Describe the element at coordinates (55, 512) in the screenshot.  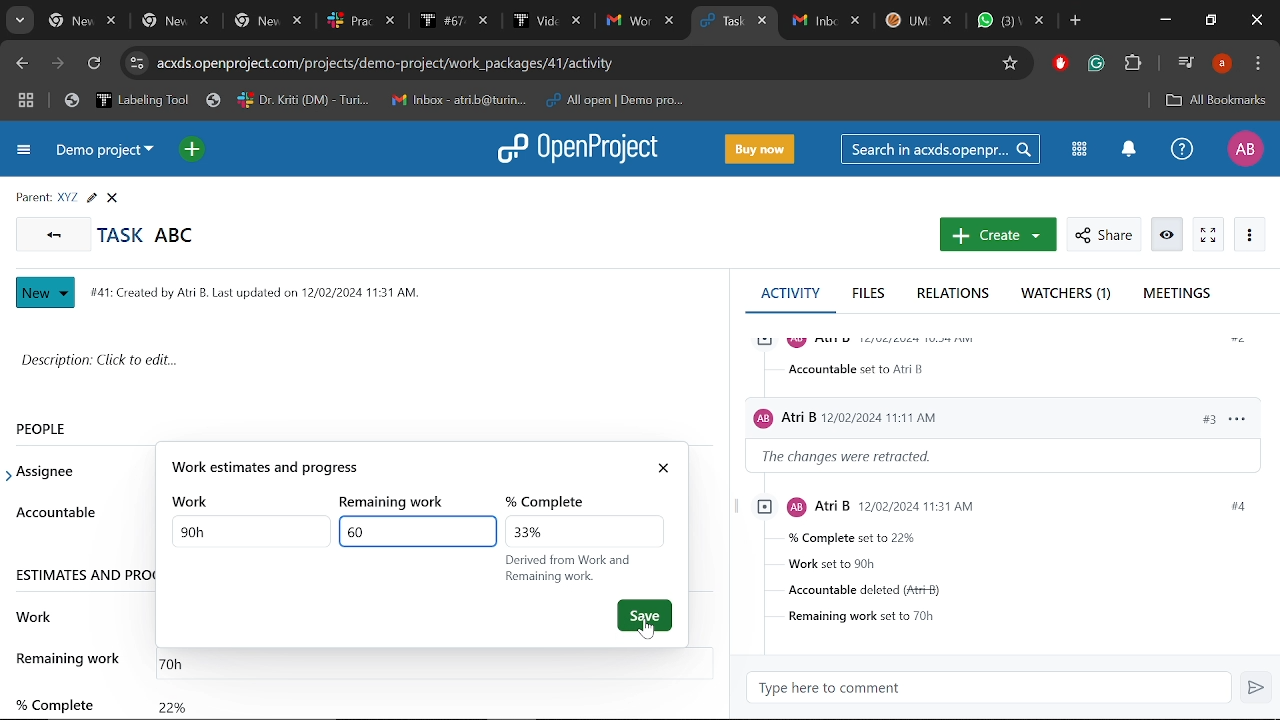
I see `accountable` at that location.